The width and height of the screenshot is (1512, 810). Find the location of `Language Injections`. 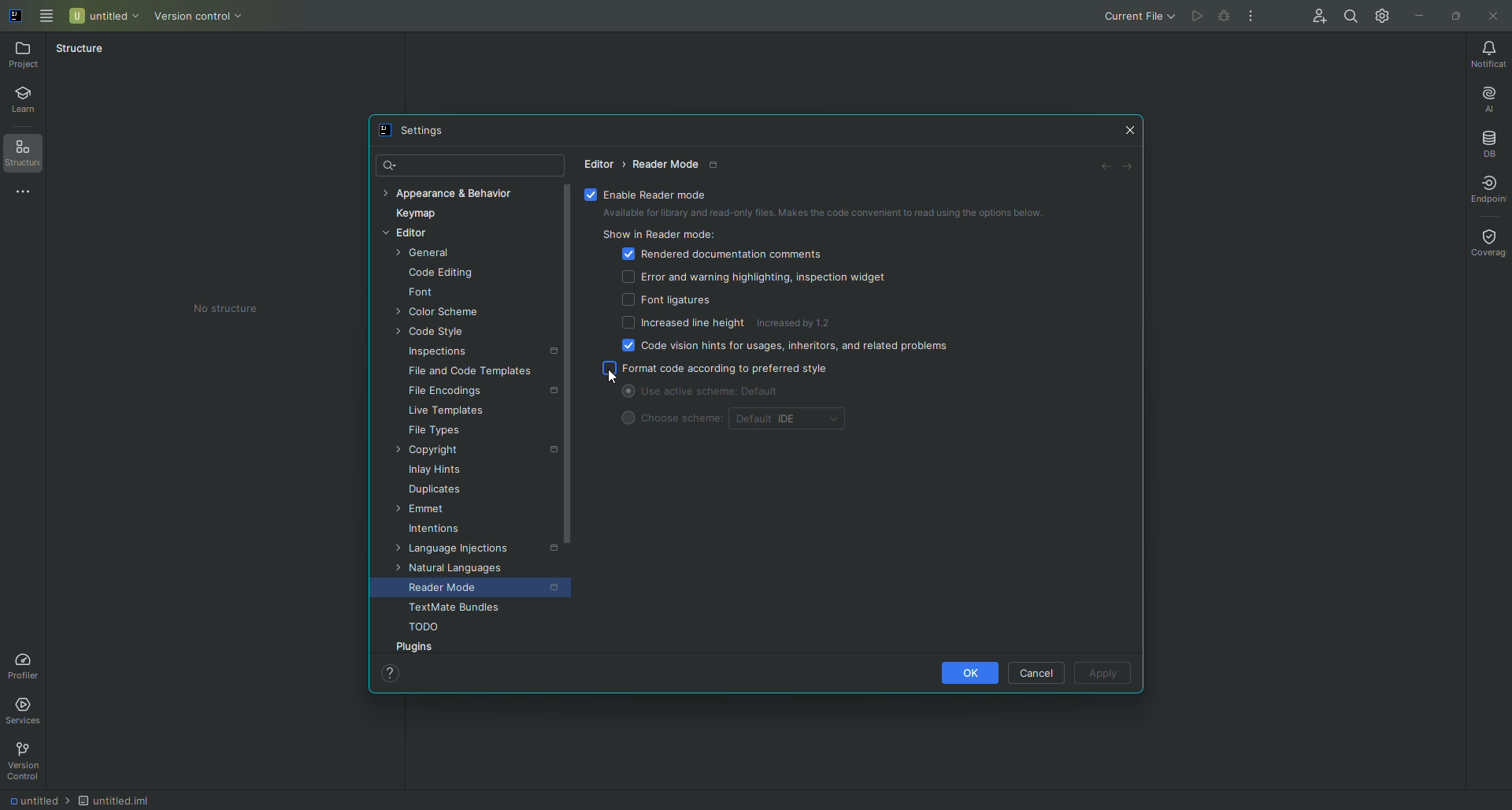

Language Injections is located at coordinates (471, 551).